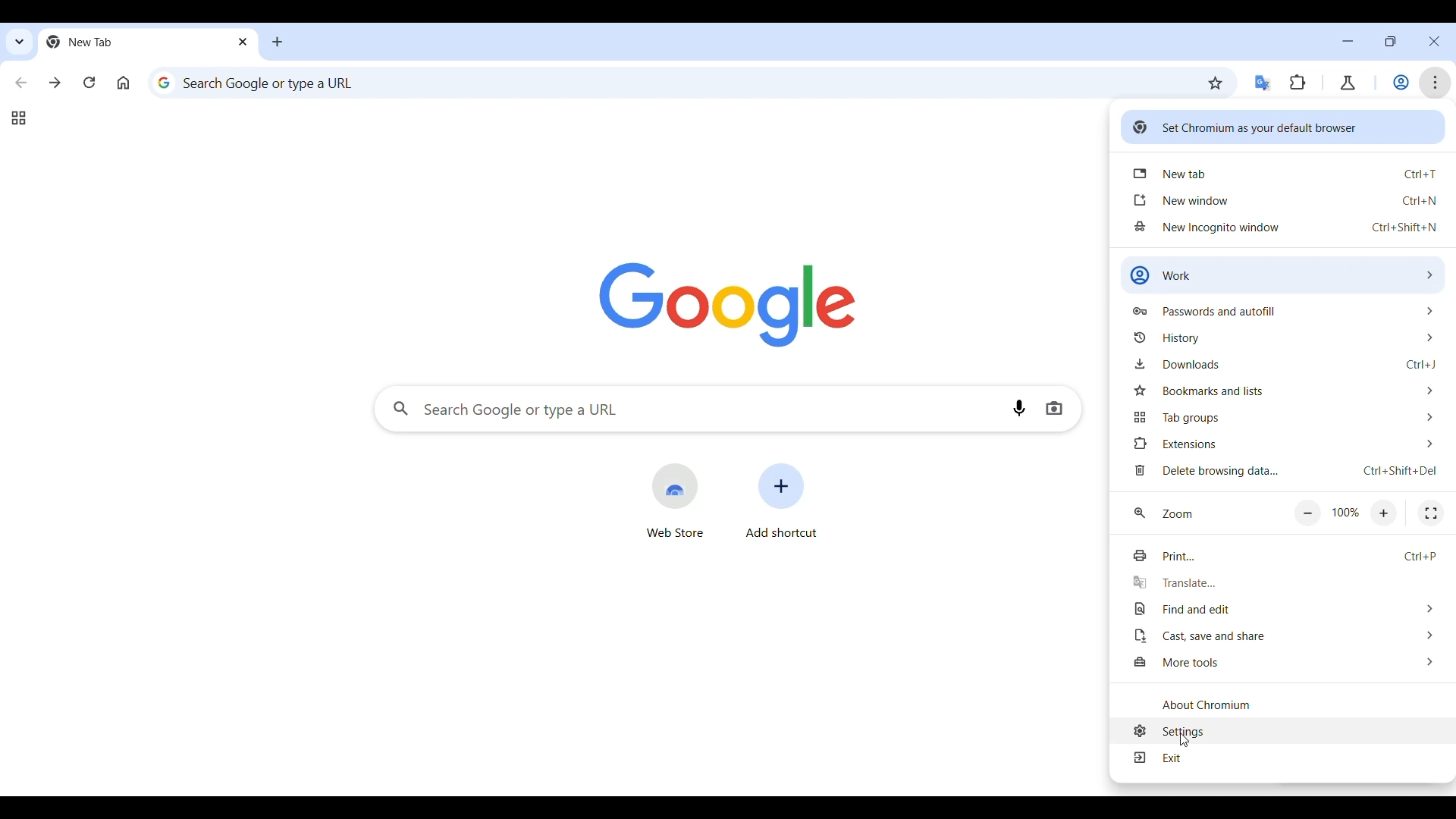 The image size is (1456, 819). What do you see at coordinates (55, 83) in the screenshot?
I see `Go forward` at bounding box center [55, 83].